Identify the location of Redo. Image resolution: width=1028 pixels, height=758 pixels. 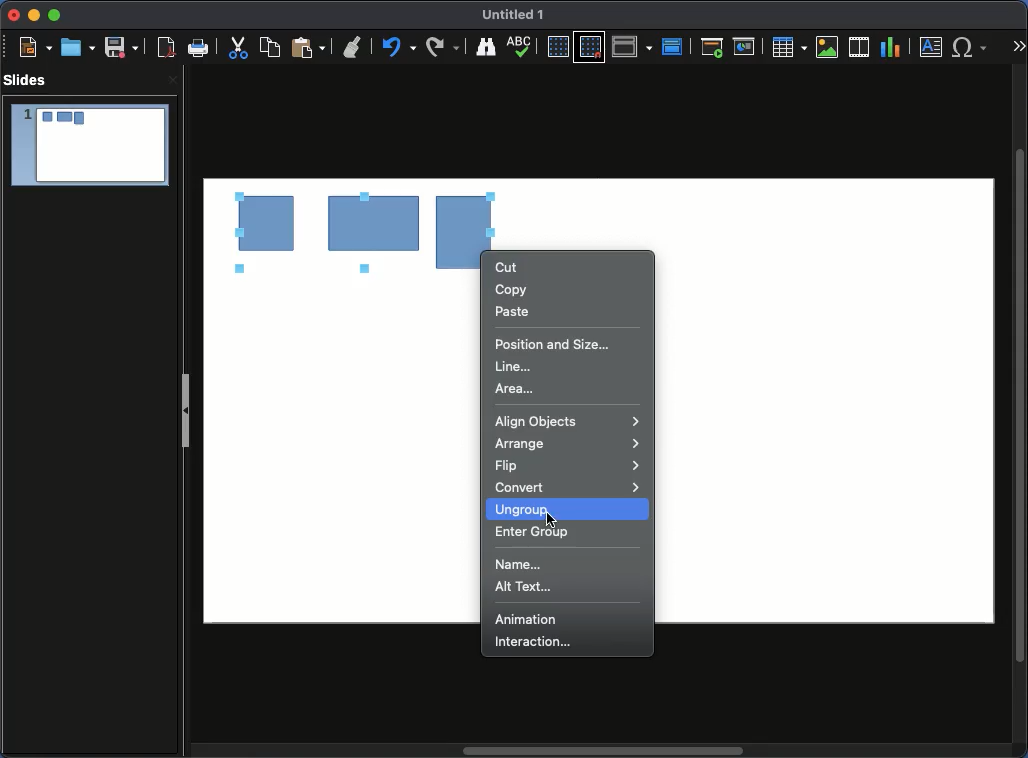
(396, 47).